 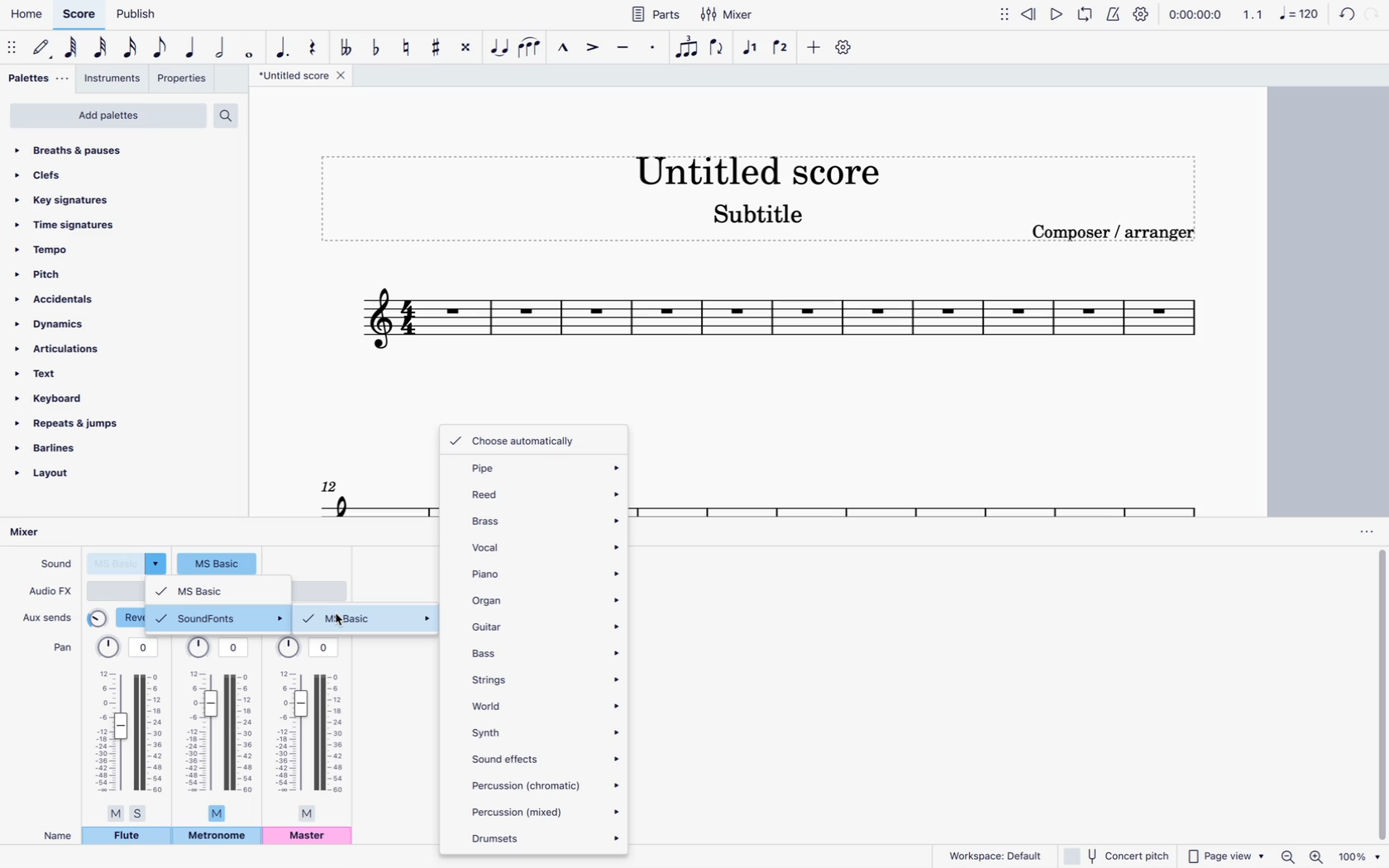 I want to click on sound, so click(x=54, y=562).